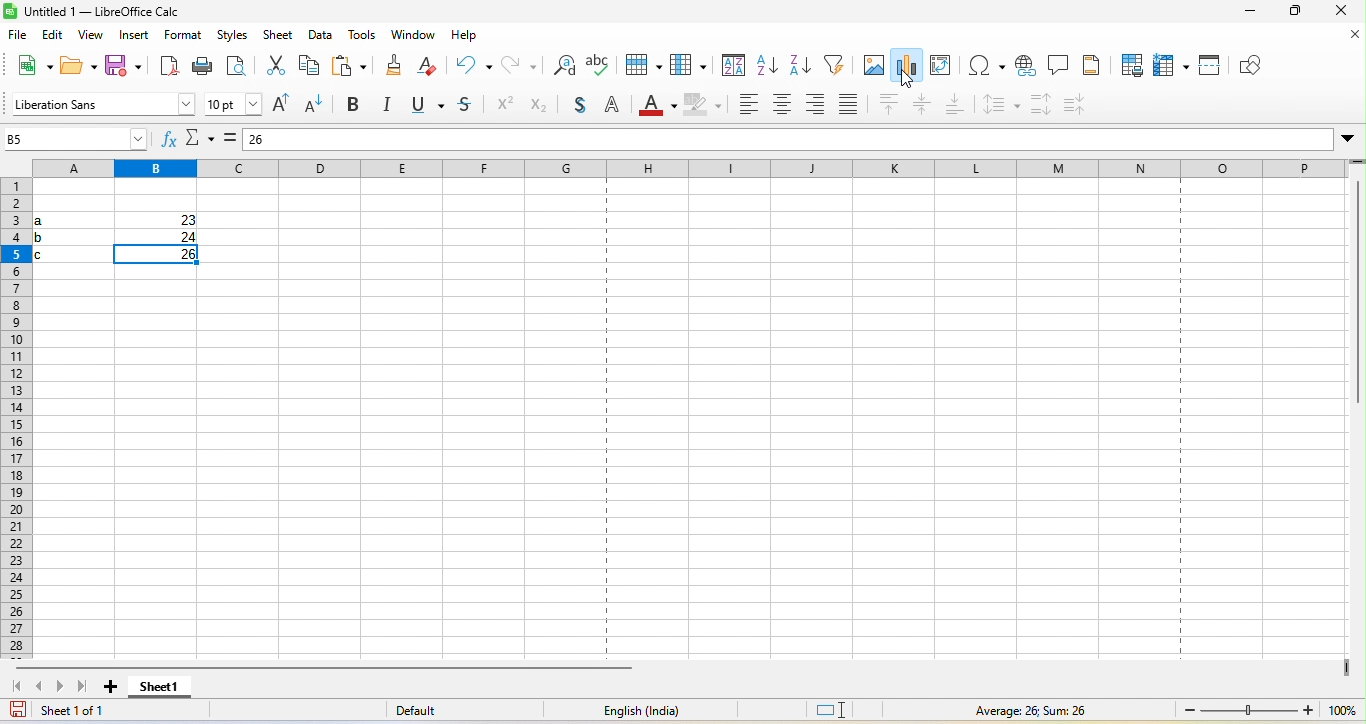 This screenshot has width=1366, height=724. What do you see at coordinates (746, 102) in the screenshot?
I see `align left` at bounding box center [746, 102].